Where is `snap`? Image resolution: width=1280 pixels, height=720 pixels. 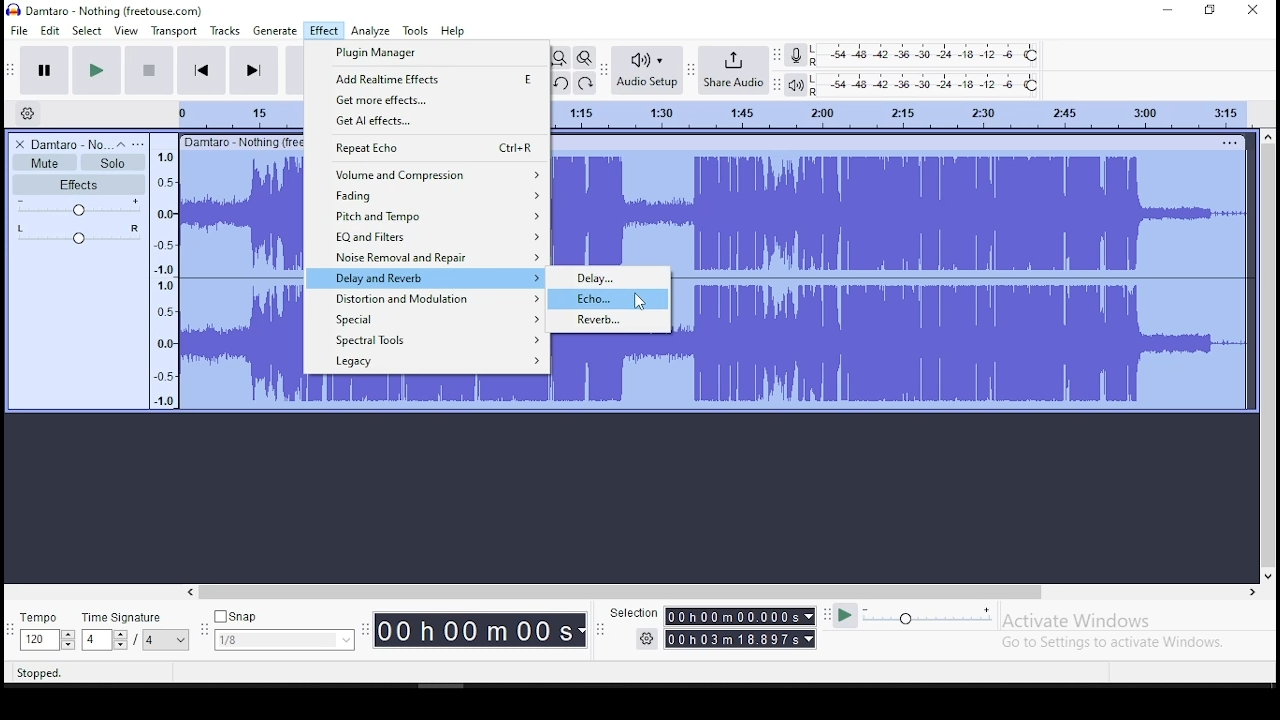 snap is located at coordinates (285, 615).